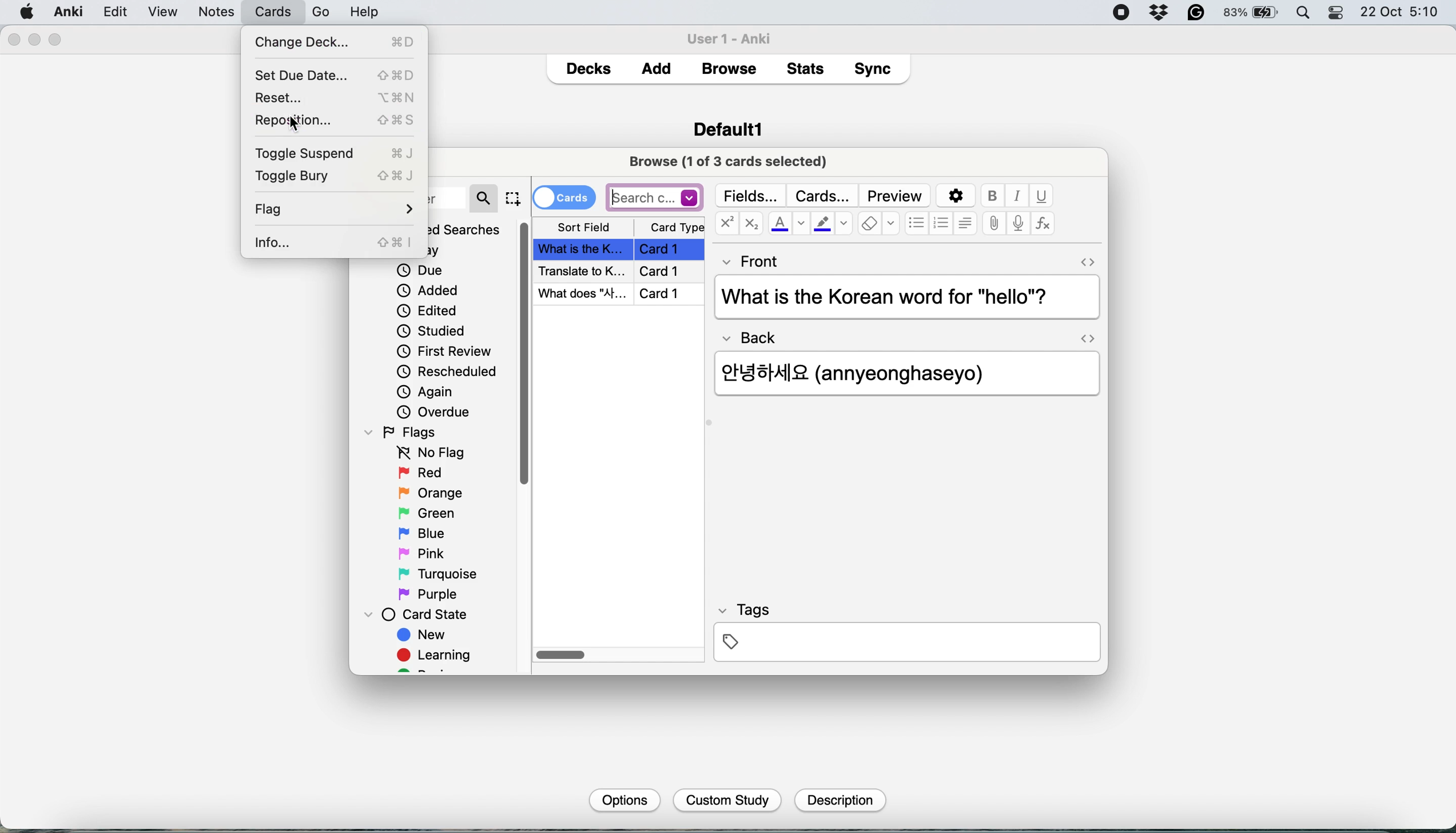 Image resolution: width=1456 pixels, height=833 pixels. I want to click on underline, so click(1041, 196).